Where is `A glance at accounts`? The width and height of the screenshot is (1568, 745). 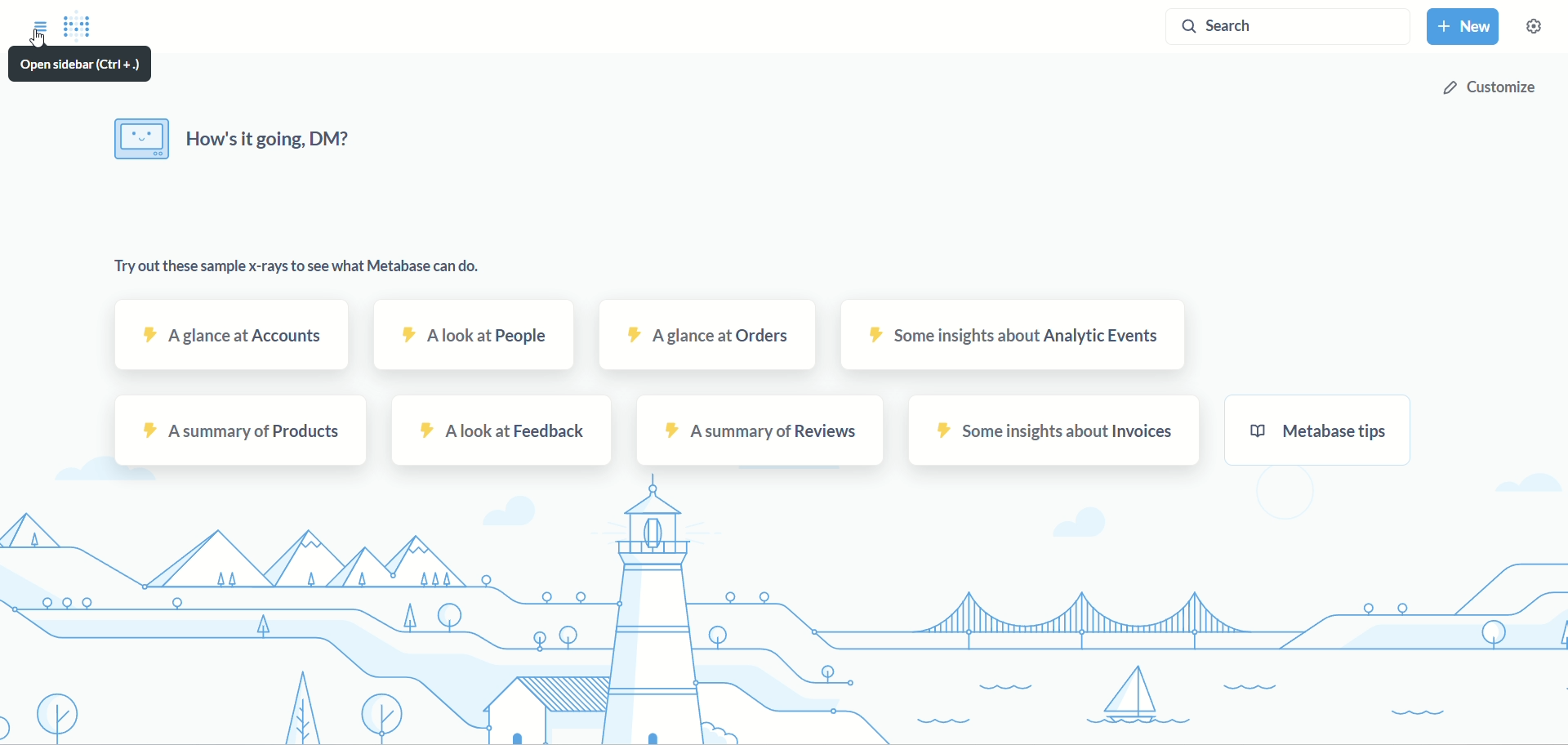 A glance at accounts is located at coordinates (234, 337).